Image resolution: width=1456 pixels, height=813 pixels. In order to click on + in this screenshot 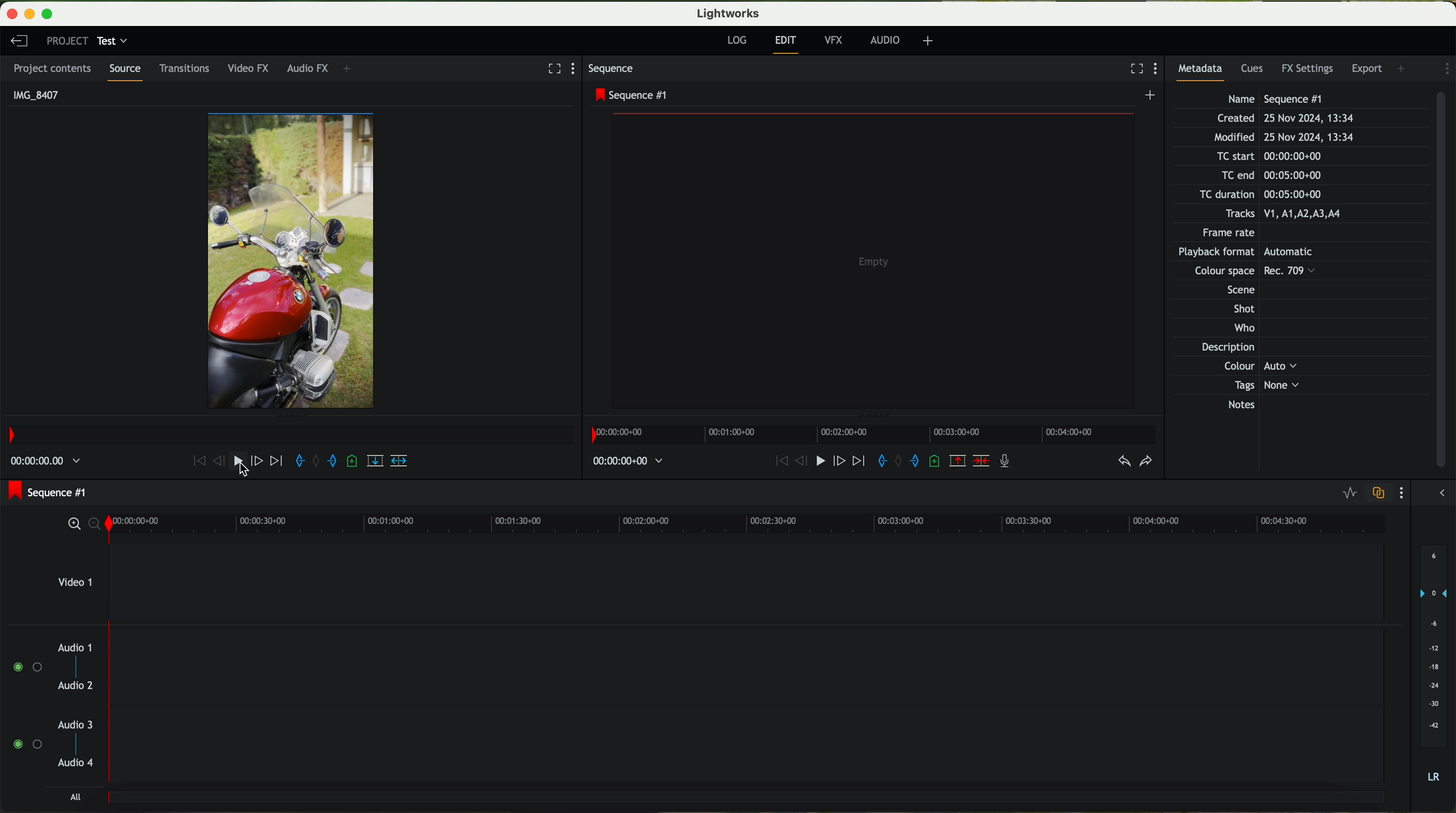, I will do `click(928, 42)`.